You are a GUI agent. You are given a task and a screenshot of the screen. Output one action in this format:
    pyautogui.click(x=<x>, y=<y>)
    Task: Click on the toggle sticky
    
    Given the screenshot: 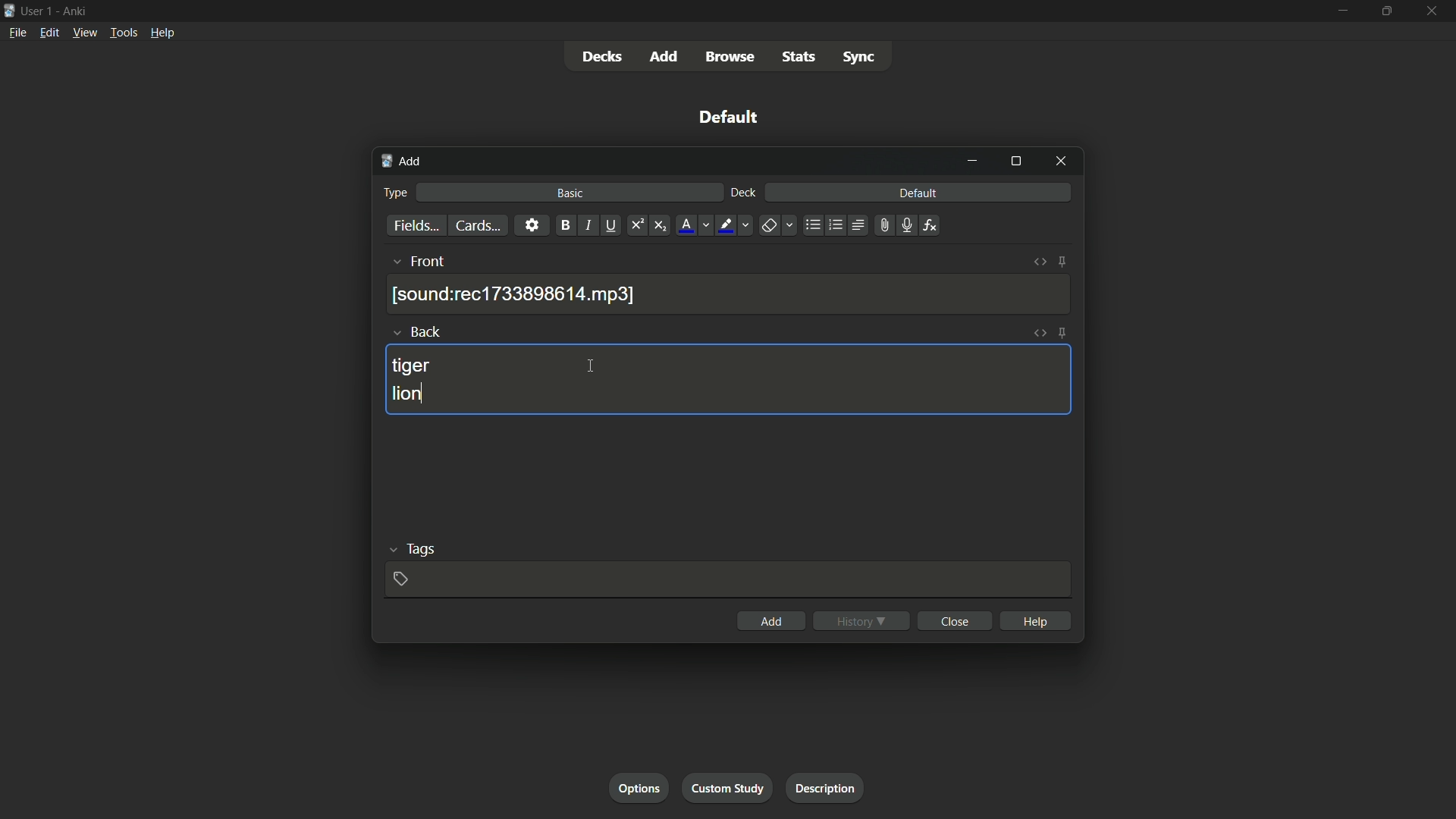 What is the action you would take?
    pyautogui.click(x=1062, y=333)
    